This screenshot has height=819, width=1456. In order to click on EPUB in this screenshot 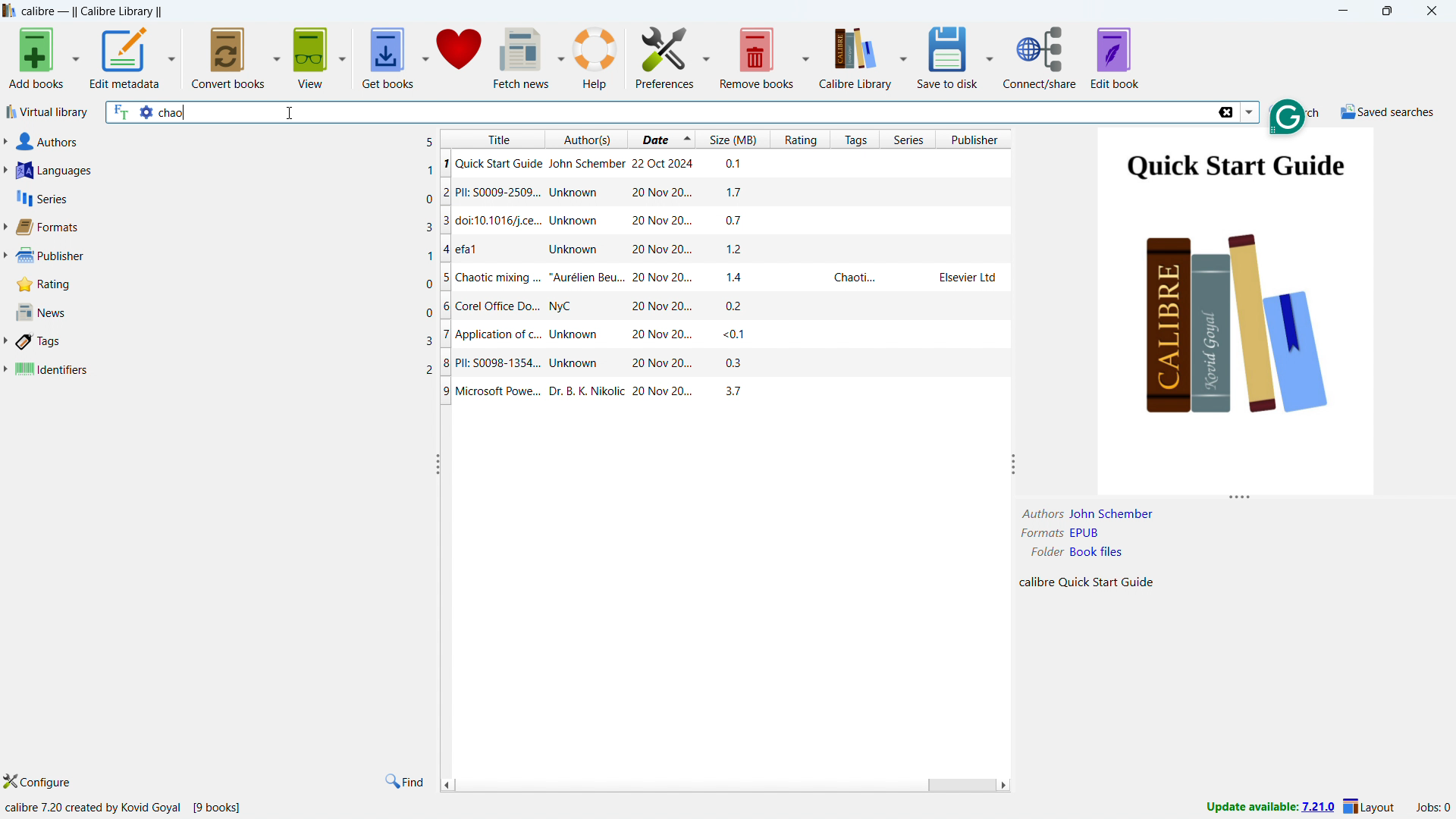, I will do `click(1097, 535)`.